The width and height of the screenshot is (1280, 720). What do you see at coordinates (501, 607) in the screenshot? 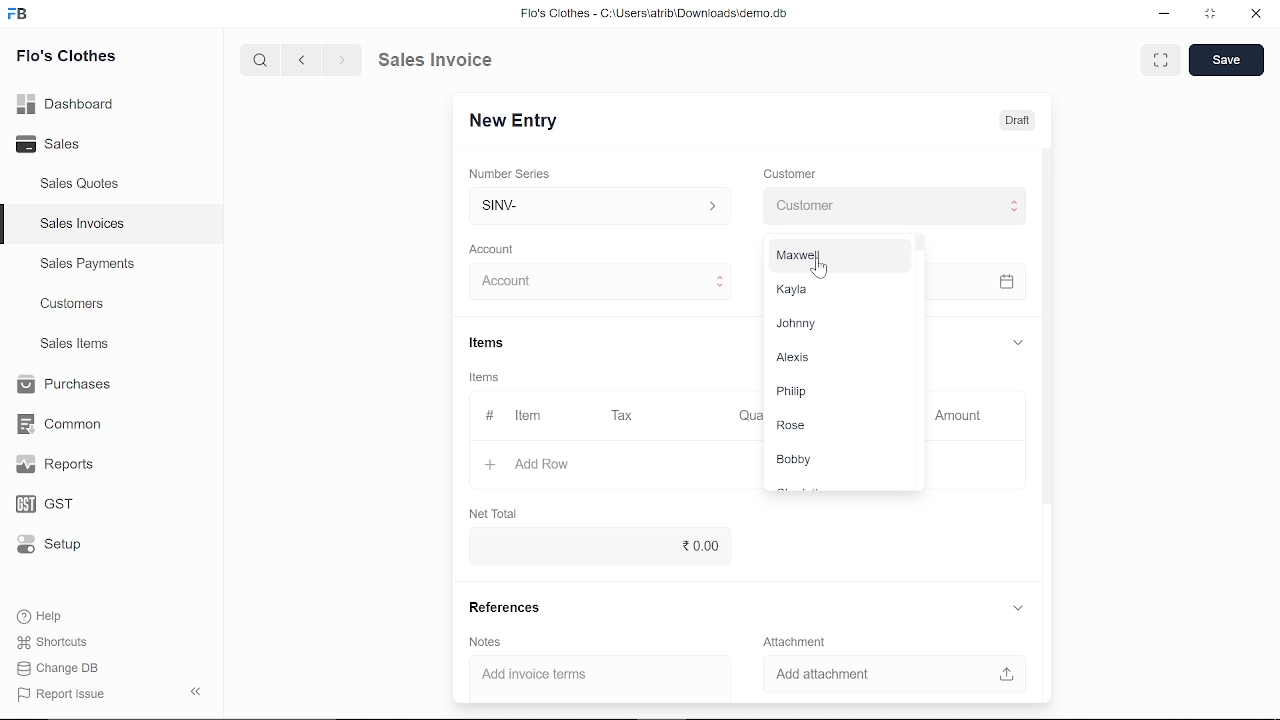
I see `References` at bounding box center [501, 607].